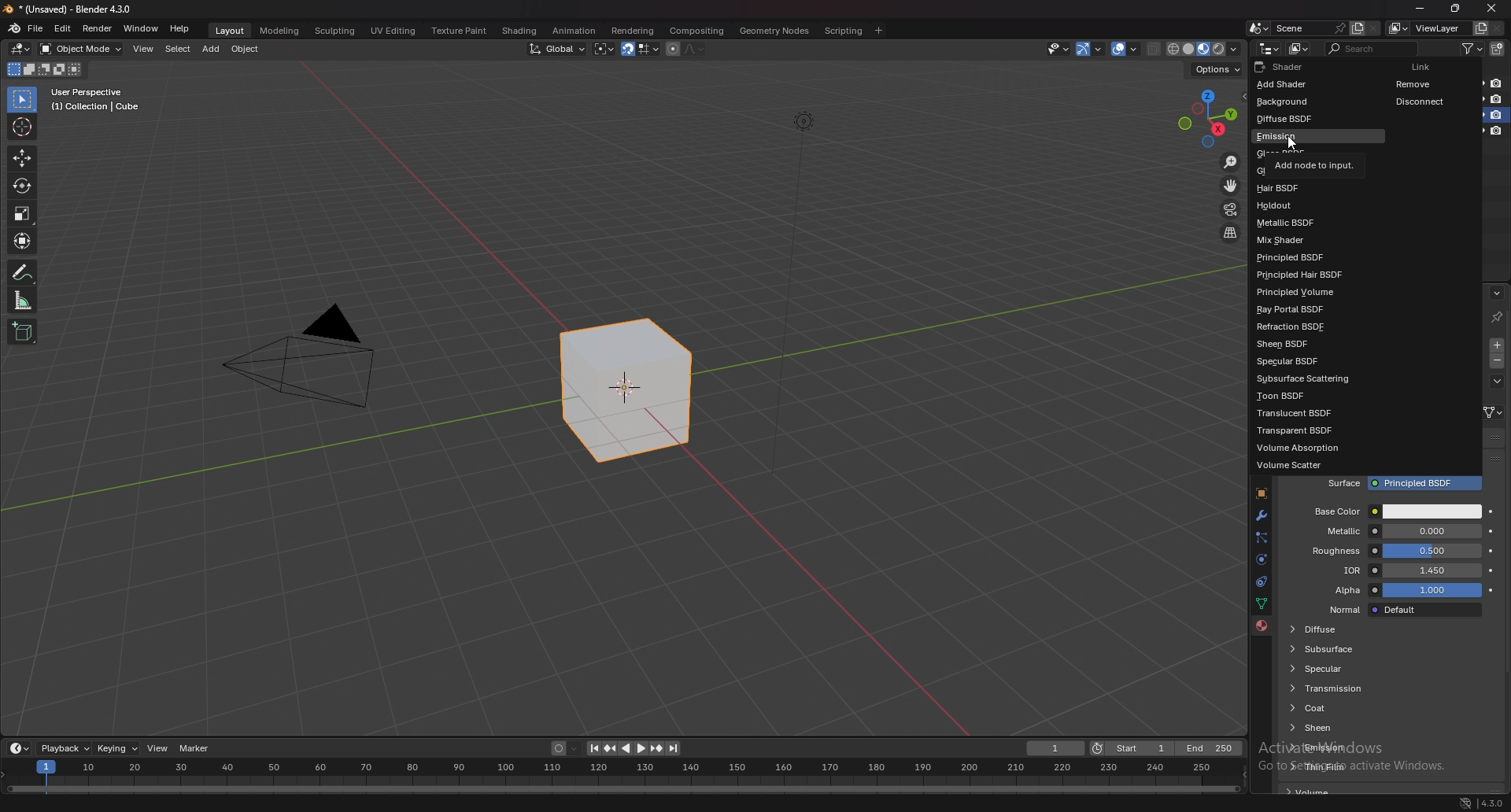  What do you see at coordinates (141, 28) in the screenshot?
I see `window` at bounding box center [141, 28].